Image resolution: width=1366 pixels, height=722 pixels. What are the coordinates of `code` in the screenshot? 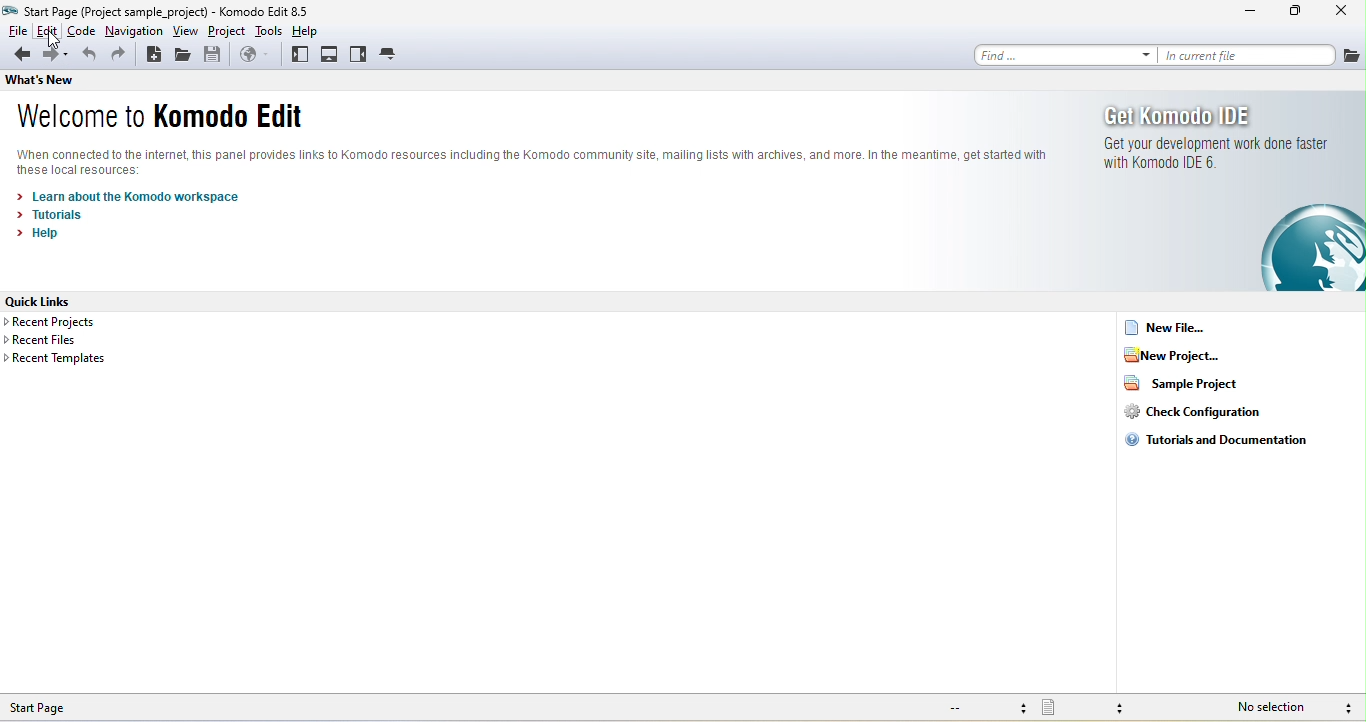 It's located at (81, 30).